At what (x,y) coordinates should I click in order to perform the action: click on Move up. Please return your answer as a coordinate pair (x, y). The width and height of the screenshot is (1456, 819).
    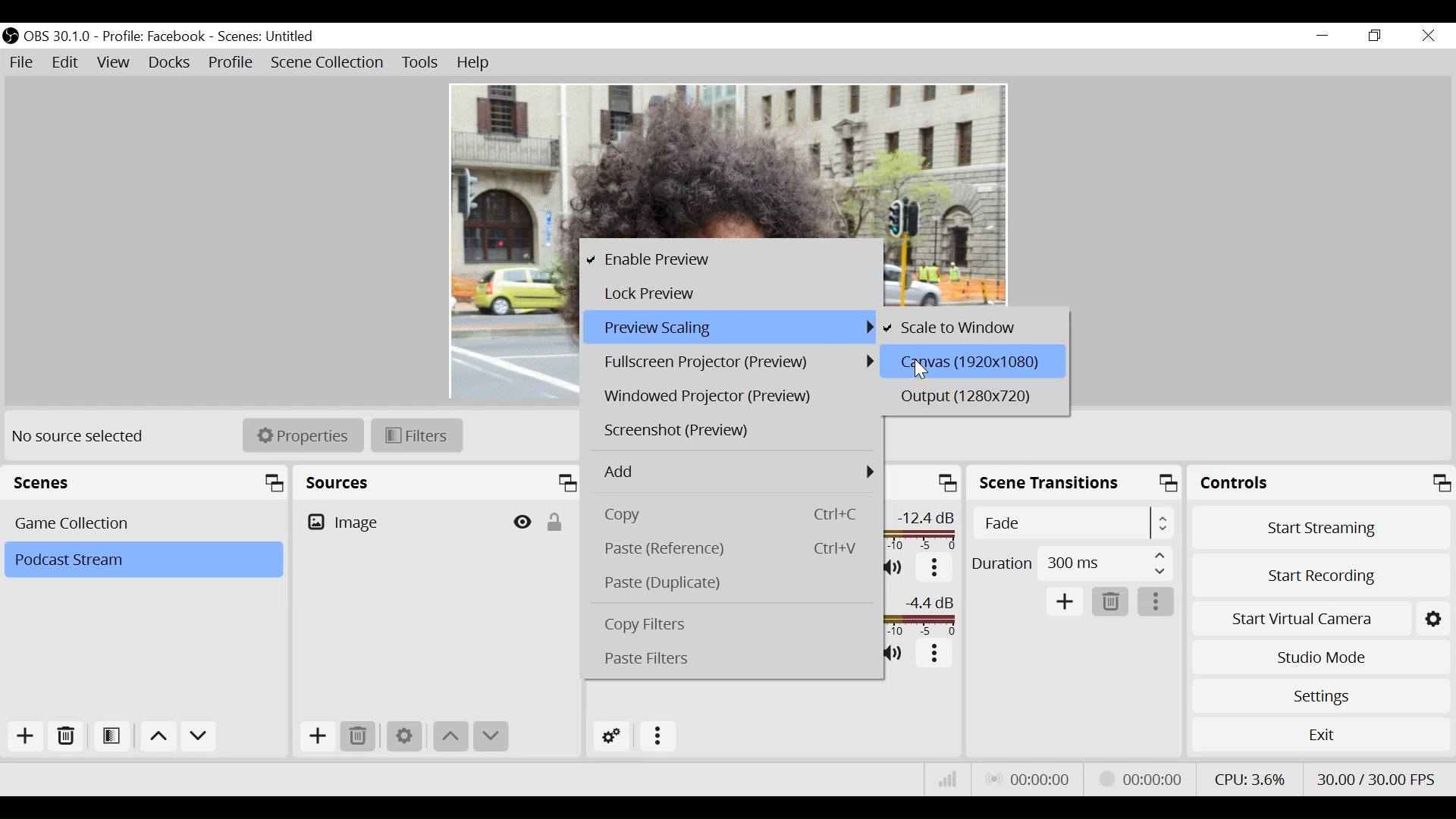
    Looking at the image, I should click on (158, 739).